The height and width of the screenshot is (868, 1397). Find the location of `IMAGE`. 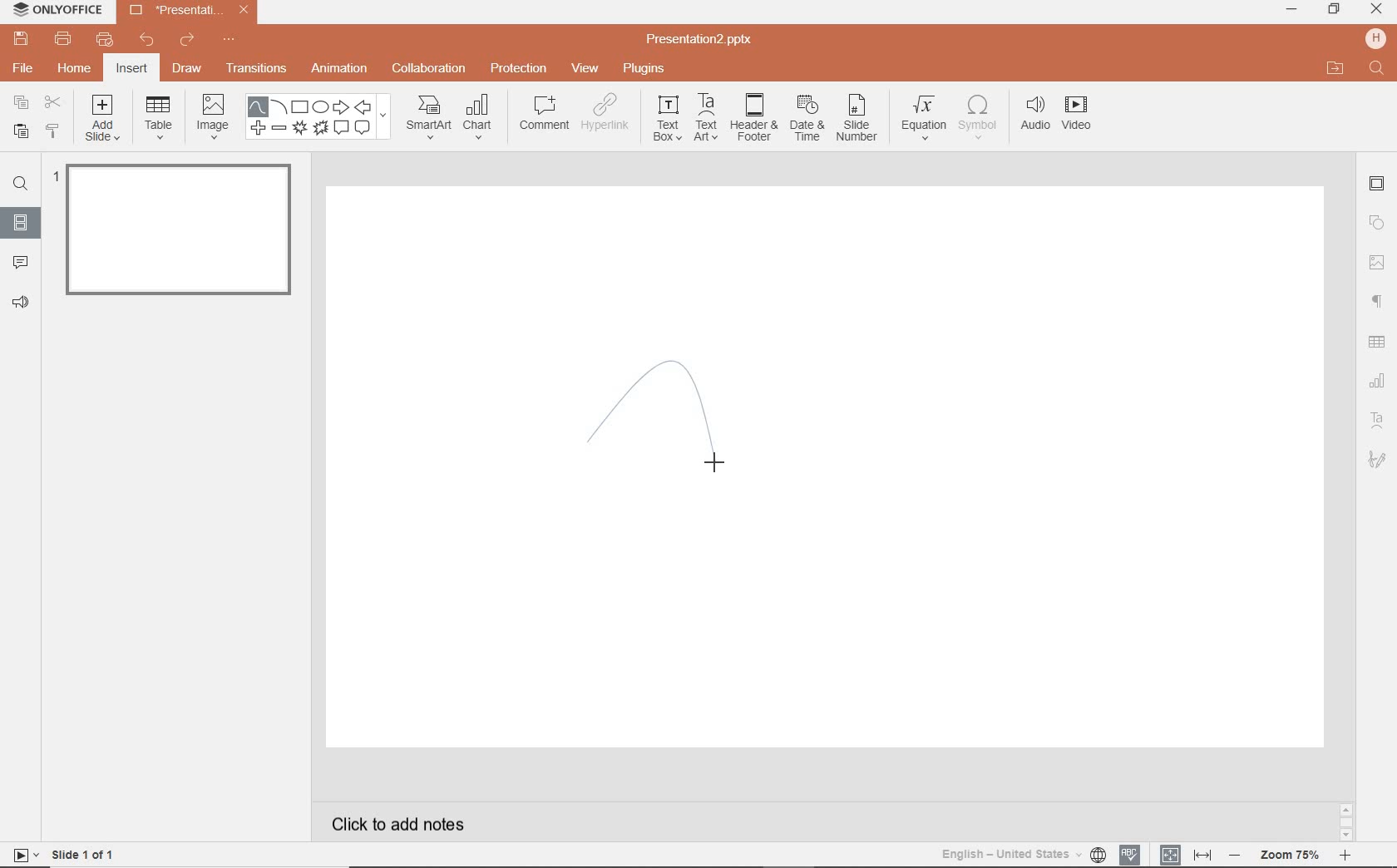

IMAGE is located at coordinates (213, 115).